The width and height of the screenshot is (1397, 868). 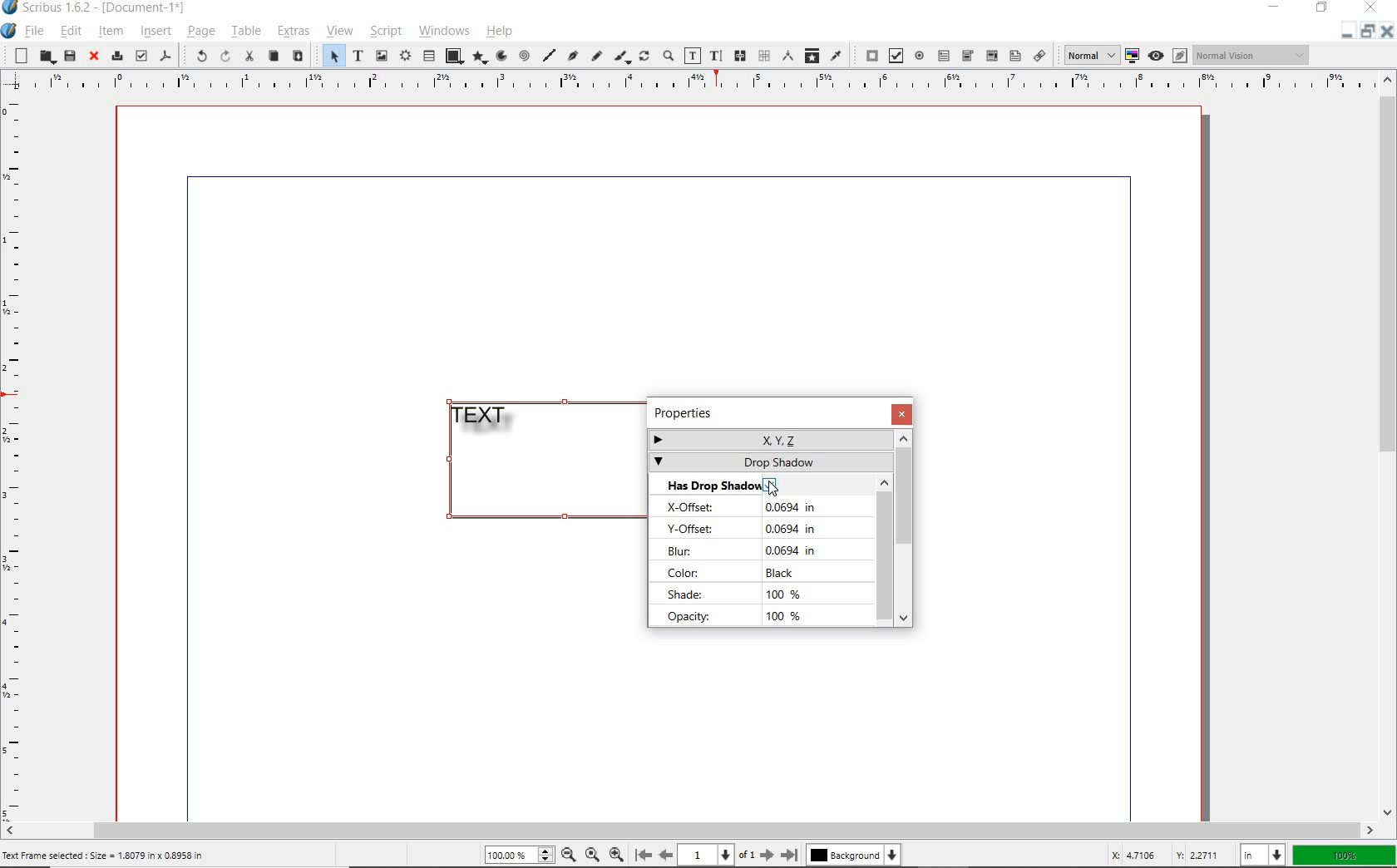 What do you see at coordinates (746, 550) in the screenshot?
I see `blur` at bounding box center [746, 550].